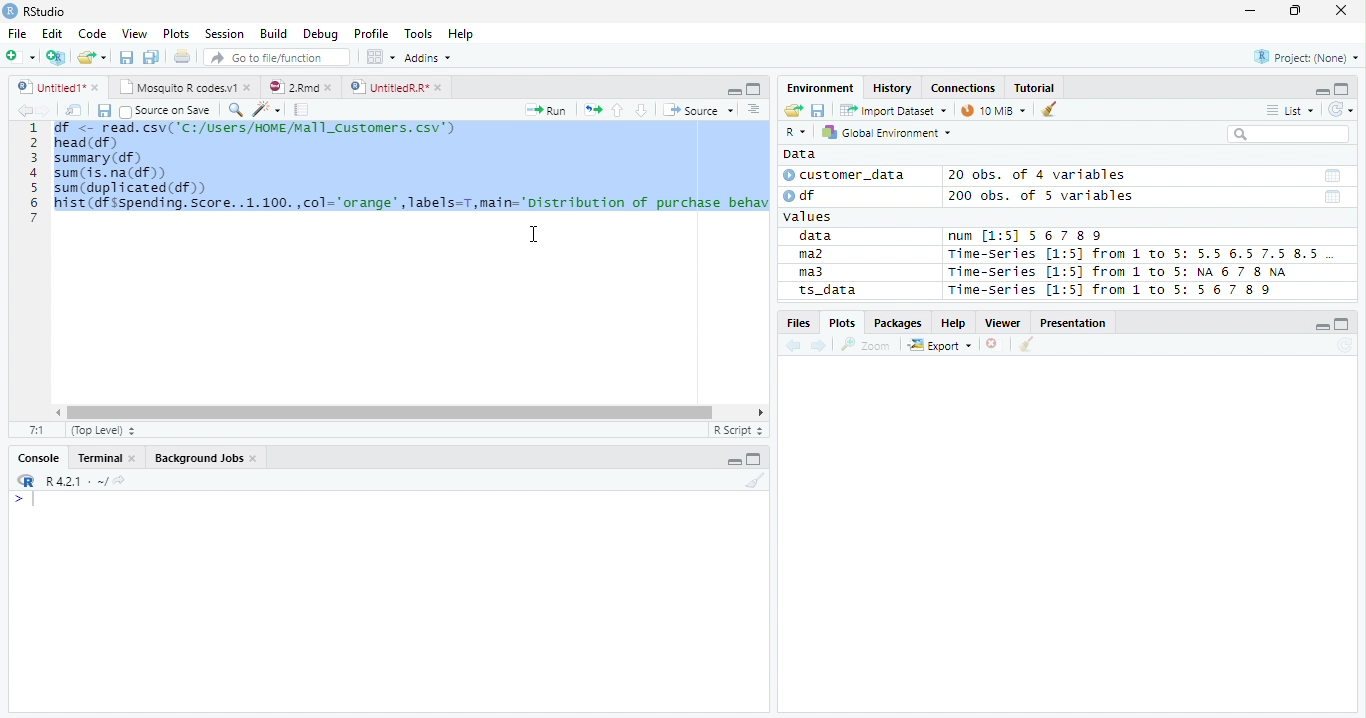  Describe the element at coordinates (810, 217) in the screenshot. I see `values` at that location.